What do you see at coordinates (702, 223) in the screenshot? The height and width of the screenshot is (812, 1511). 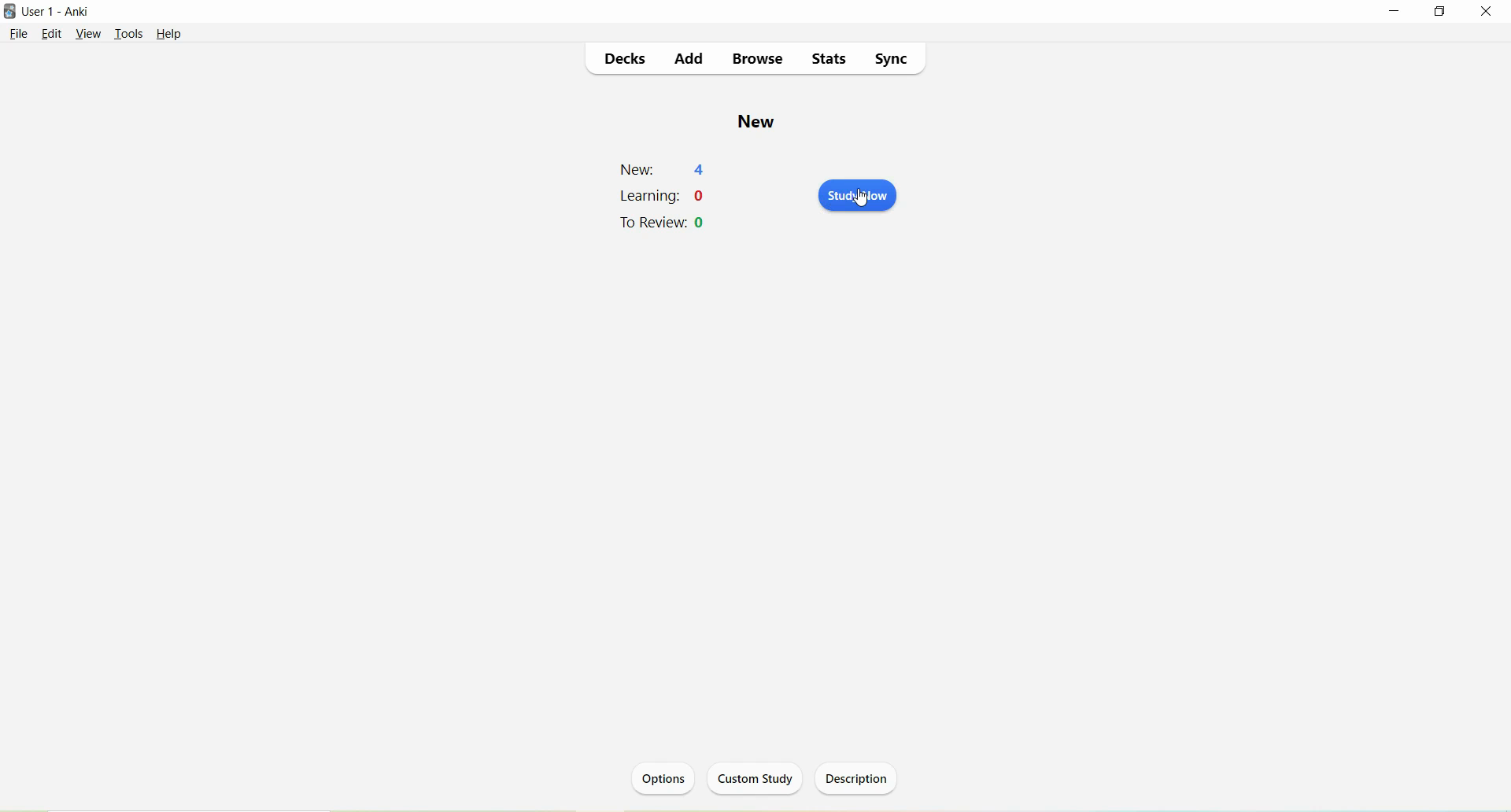 I see `0` at bounding box center [702, 223].